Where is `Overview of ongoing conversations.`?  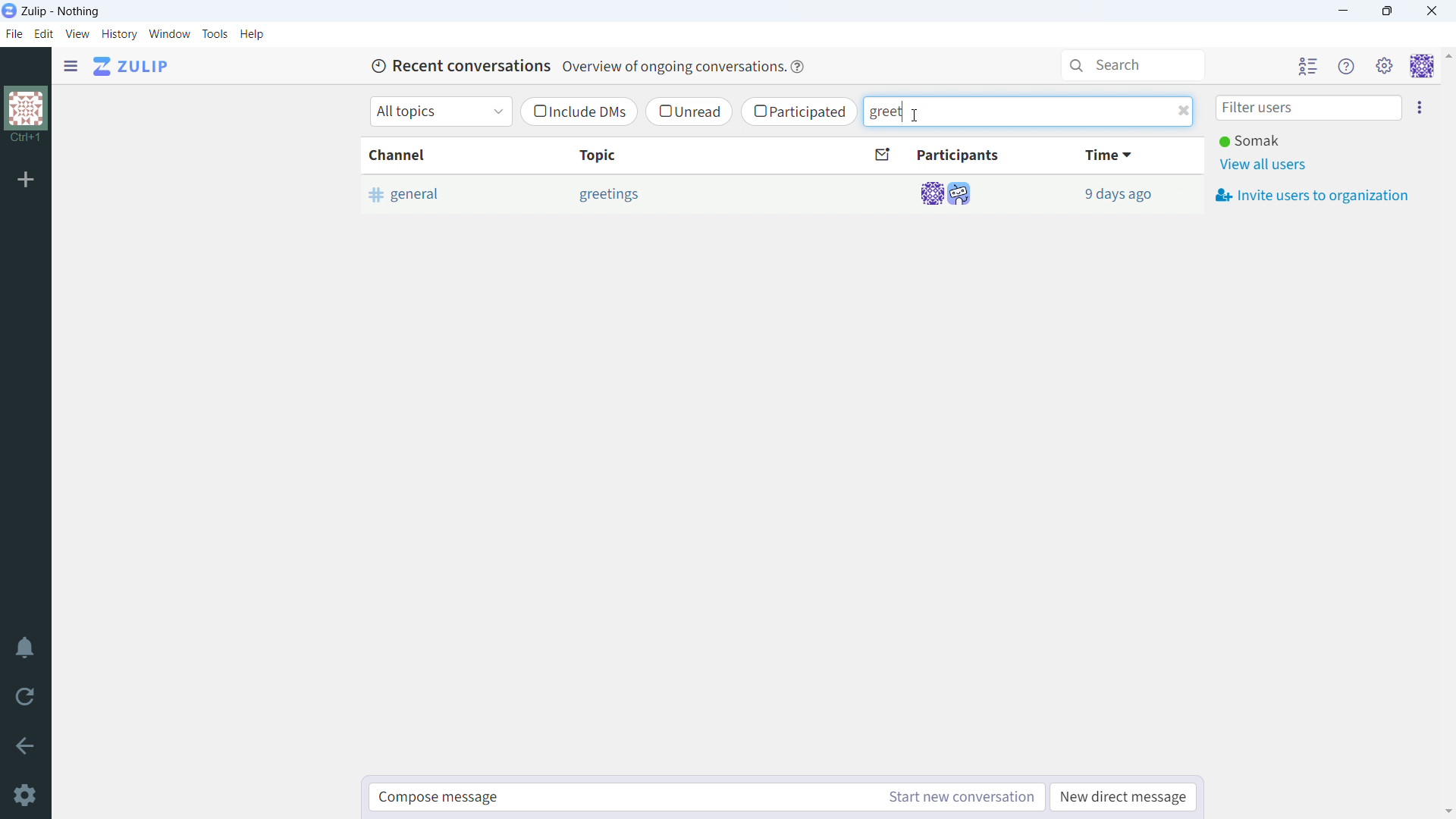
Overview of ongoing conversations. is located at coordinates (671, 67).